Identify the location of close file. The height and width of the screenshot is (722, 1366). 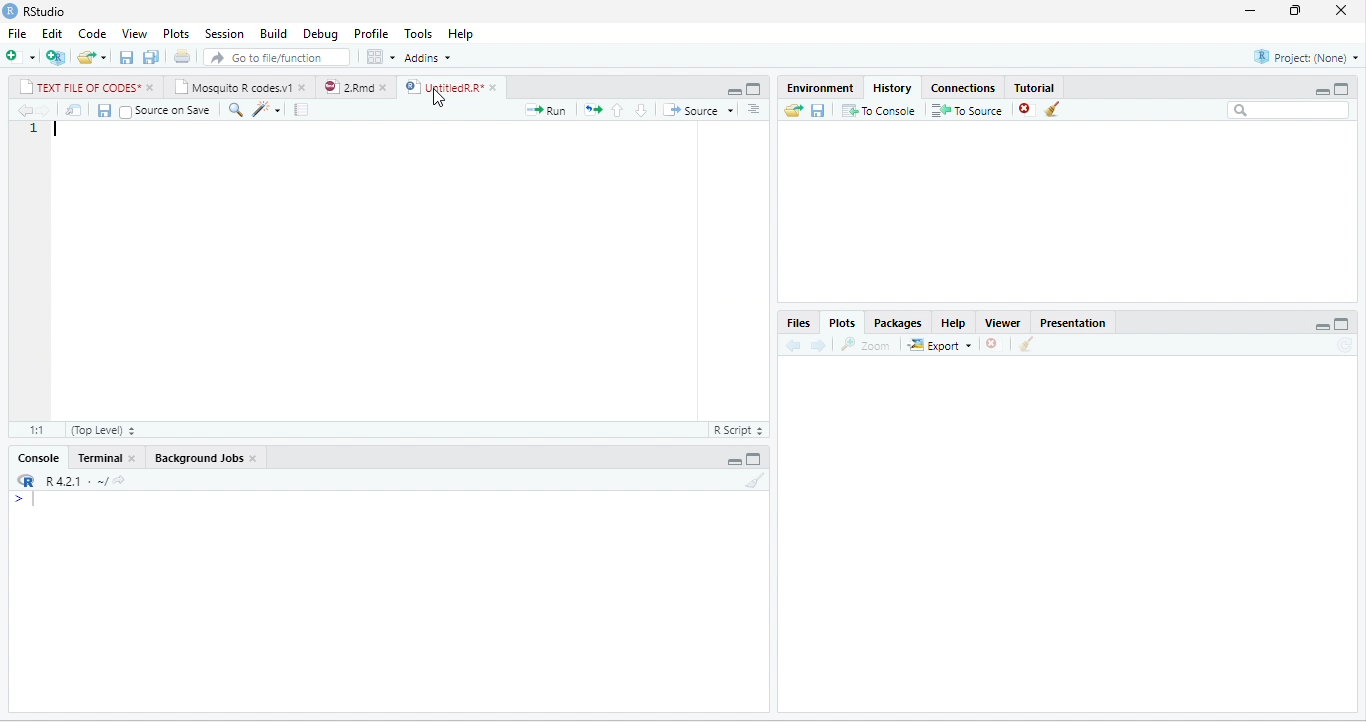
(1027, 109).